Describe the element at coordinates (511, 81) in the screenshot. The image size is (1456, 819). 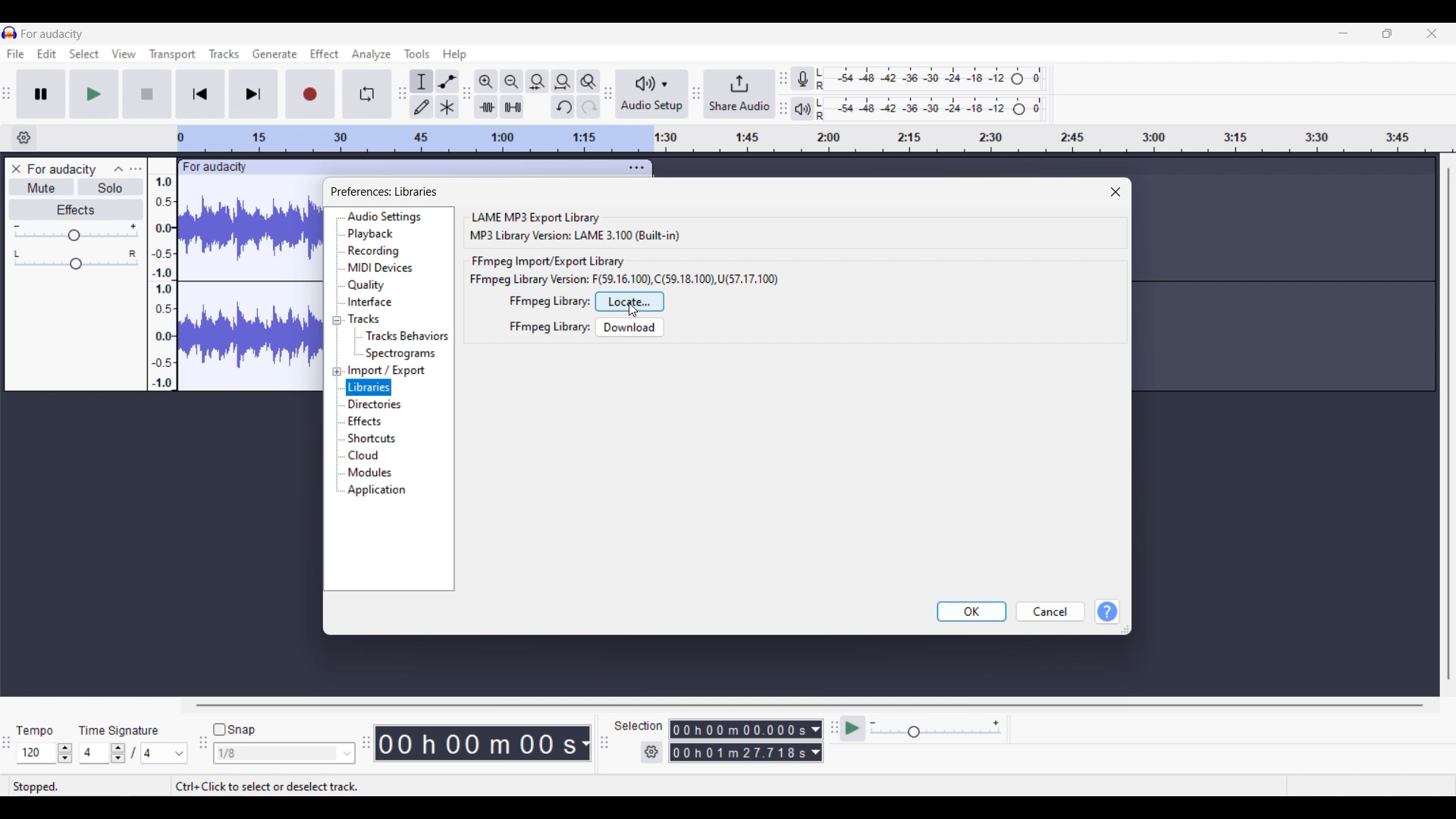
I see `Zoom out` at that location.